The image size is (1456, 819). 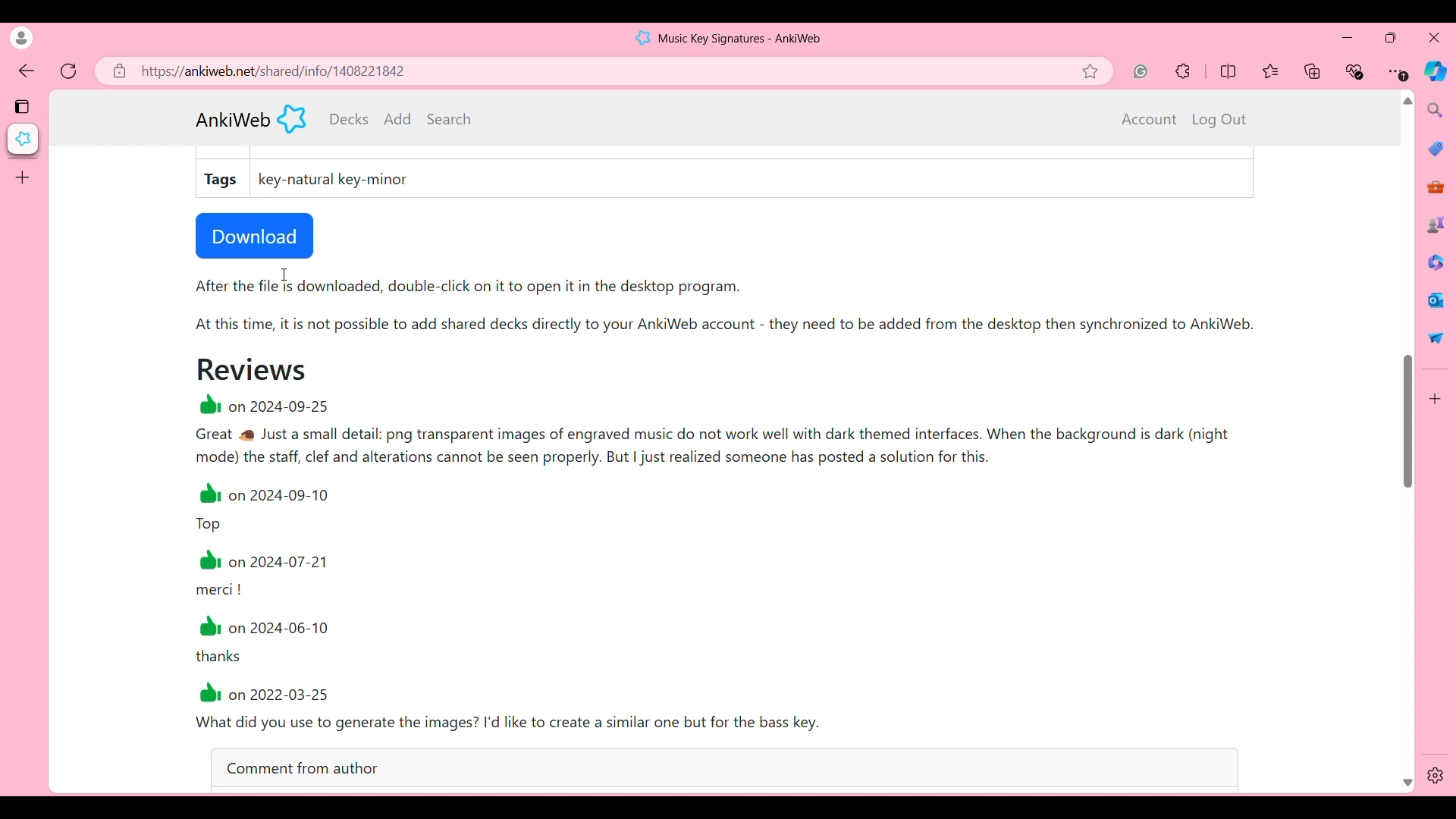 I want to click on Quick slide to top, so click(x=1407, y=101).